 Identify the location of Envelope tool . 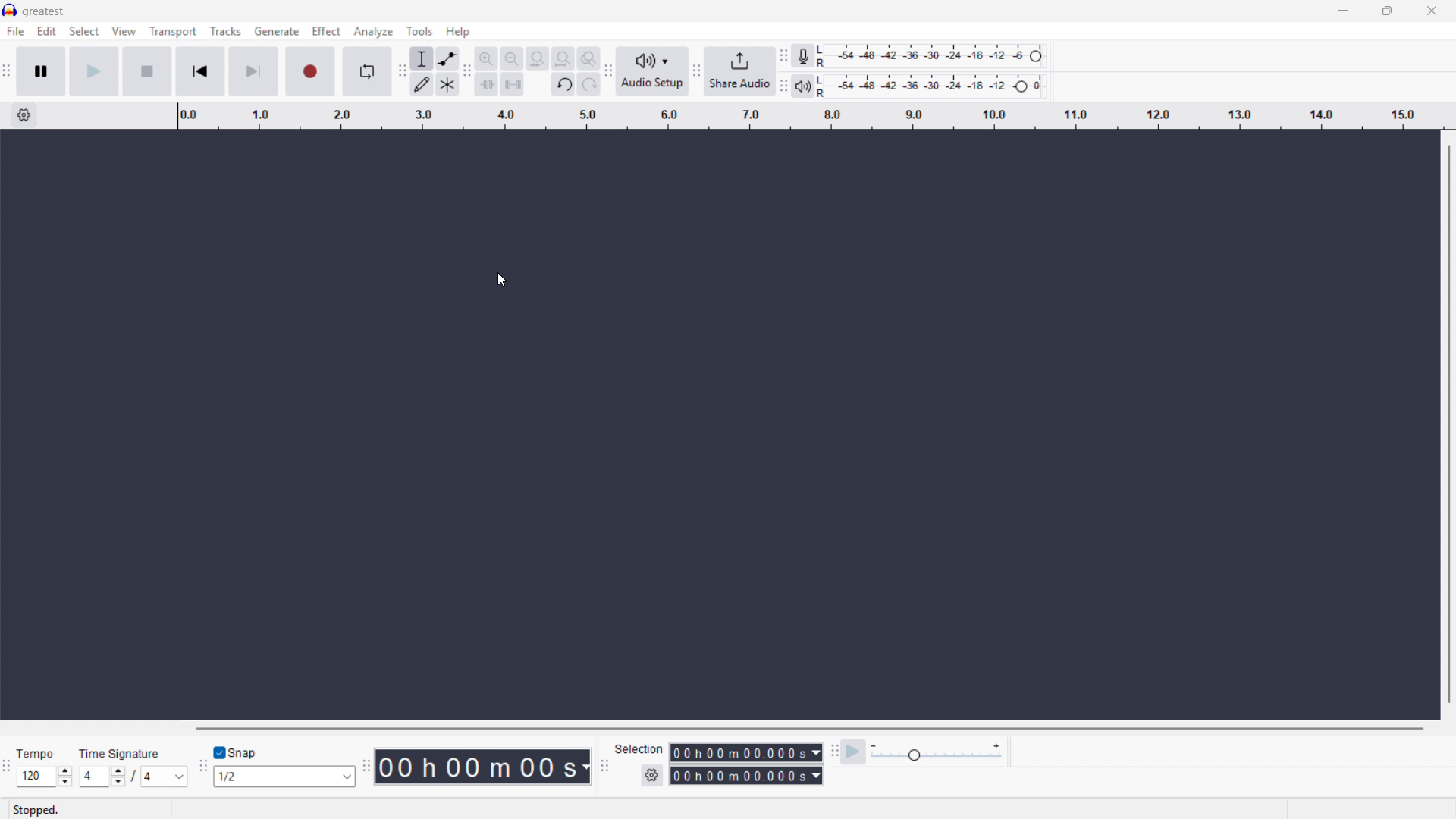
(448, 58).